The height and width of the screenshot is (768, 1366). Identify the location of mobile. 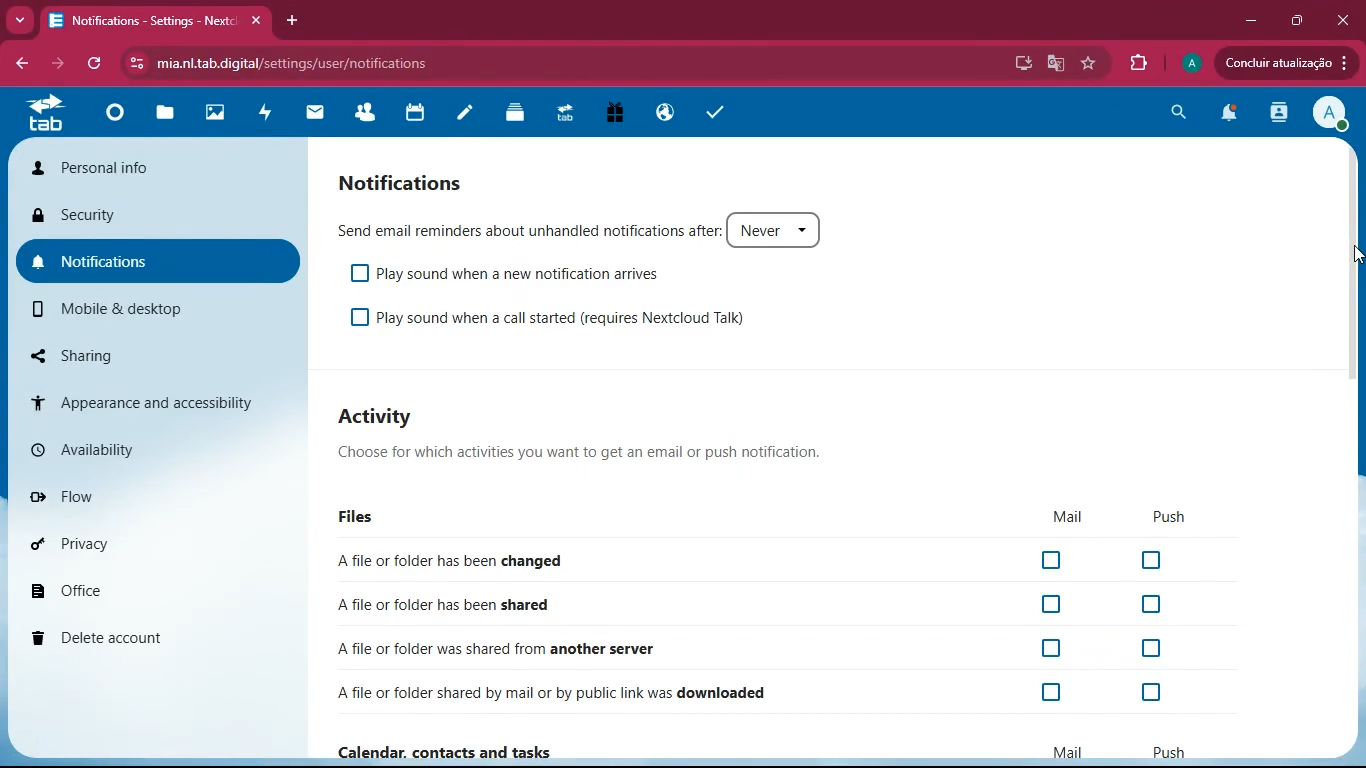
(142, 310).